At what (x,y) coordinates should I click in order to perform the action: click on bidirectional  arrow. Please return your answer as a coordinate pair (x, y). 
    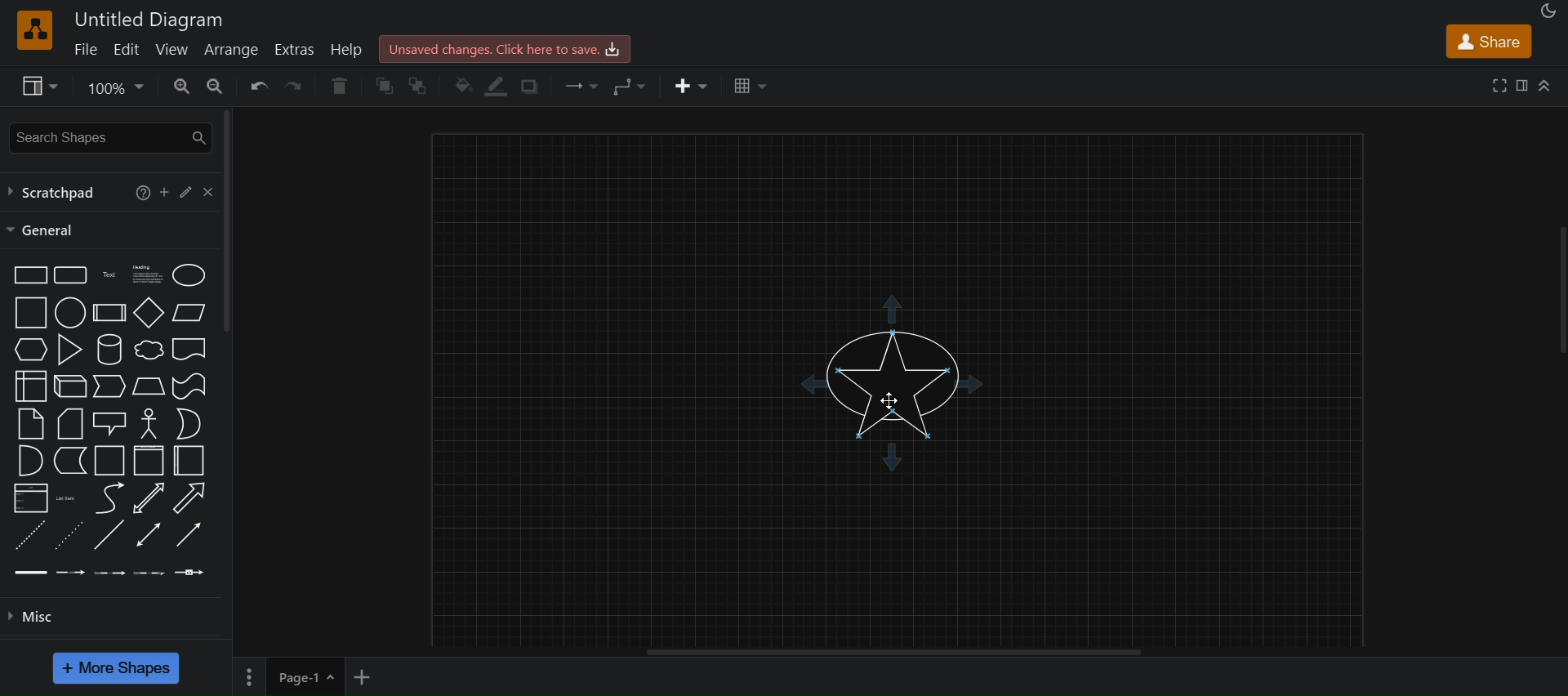
    Looking at the image, I should click on (148, 497).